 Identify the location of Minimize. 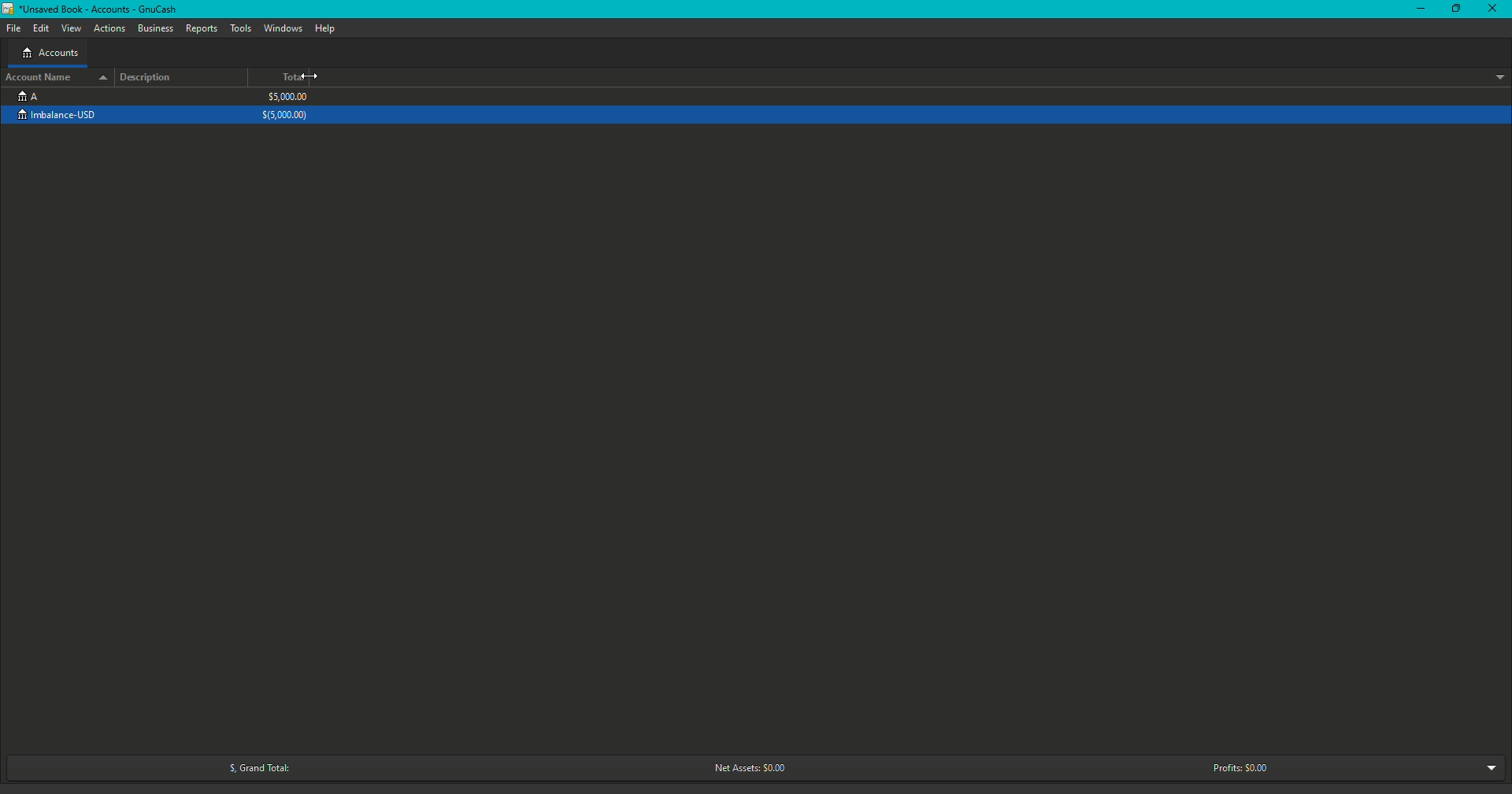
(1421, 9).